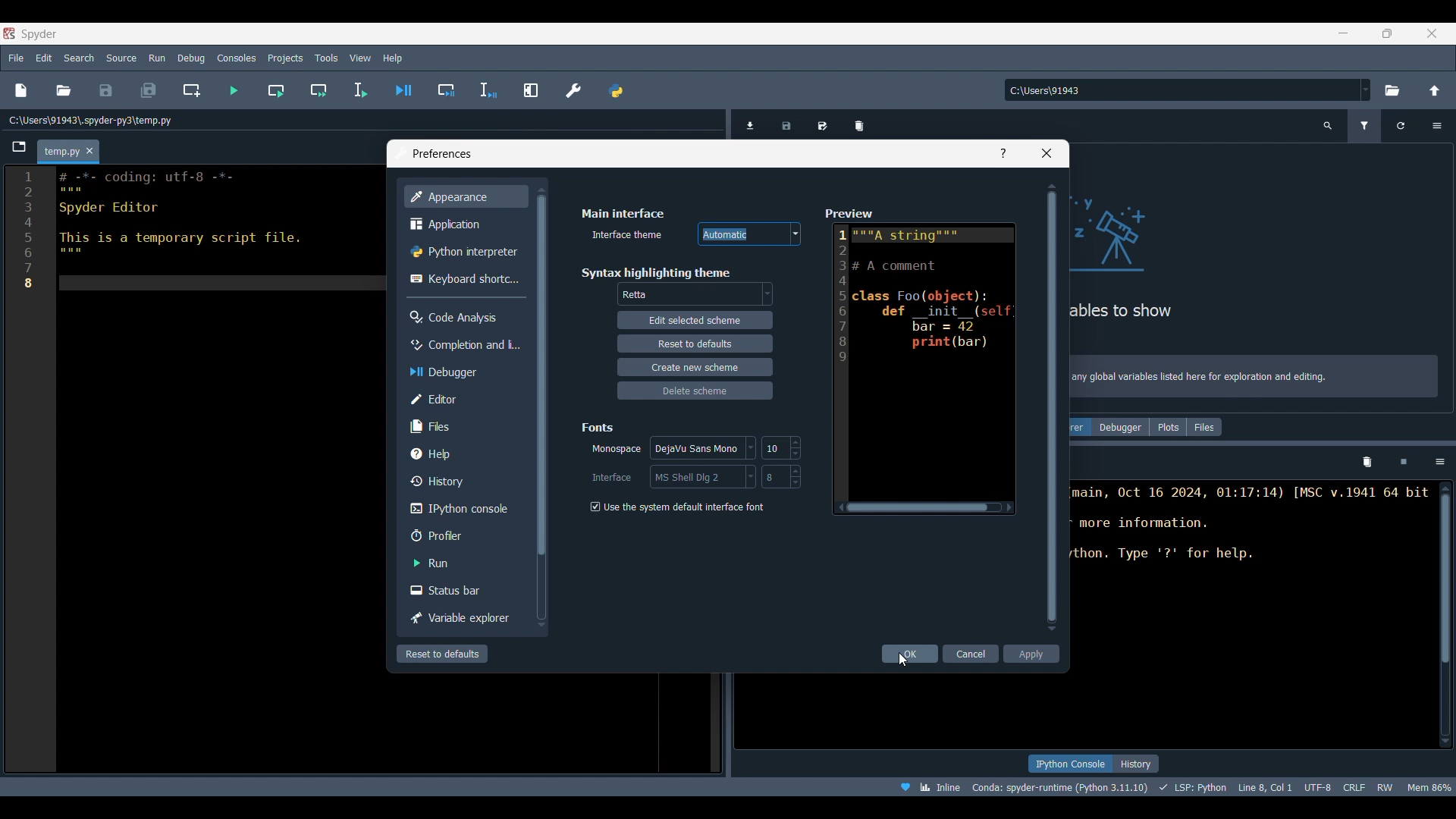 Image resolution: width=1456 pixels, height=819 pixels. I want to click on Remove all variables, so click(859, 123).